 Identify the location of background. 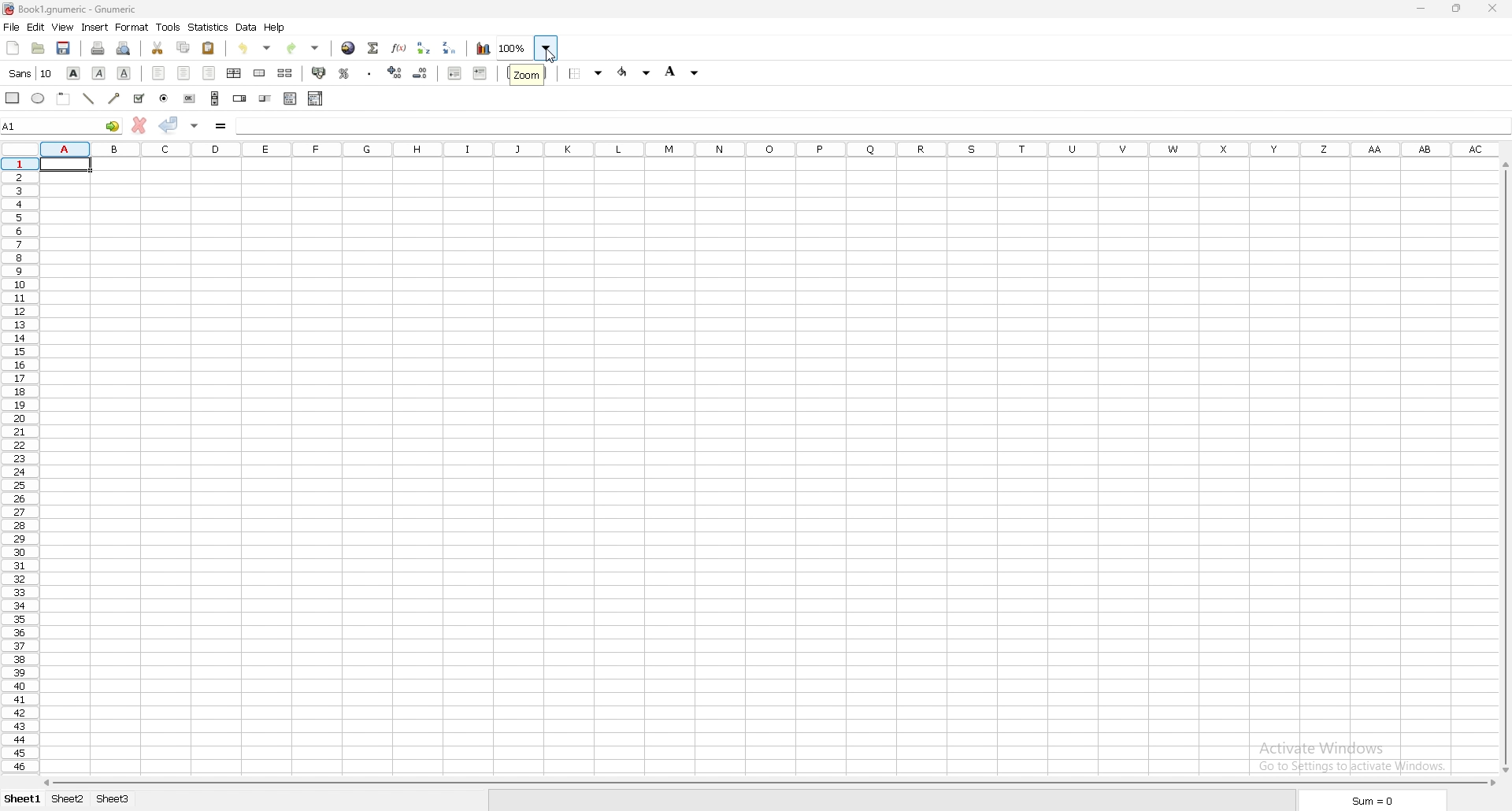
(670, 71).